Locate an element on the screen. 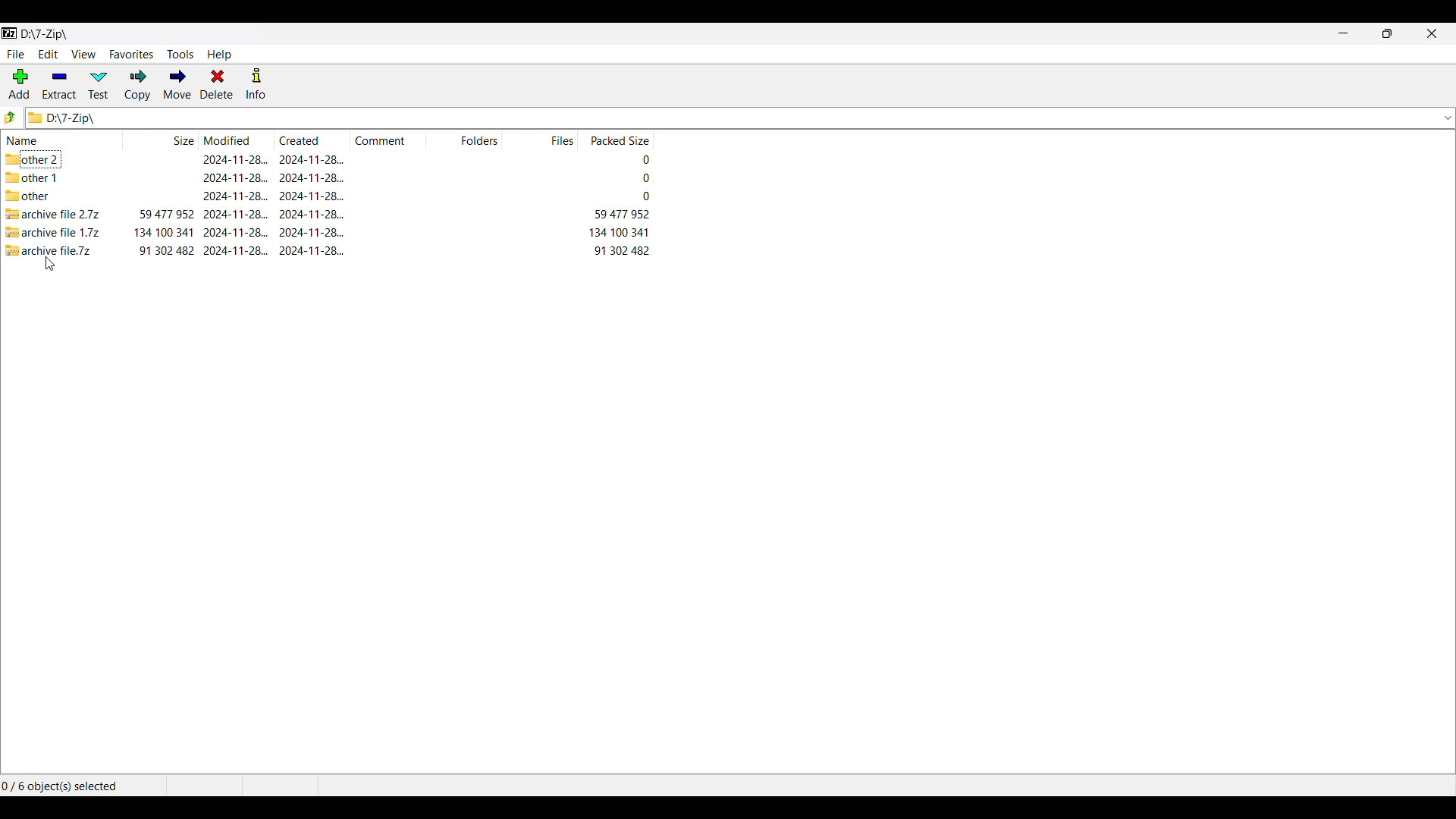 Image resolution: width=1456 pixels, height=819 pixels. Software logo is located at coordinates (10, 33).